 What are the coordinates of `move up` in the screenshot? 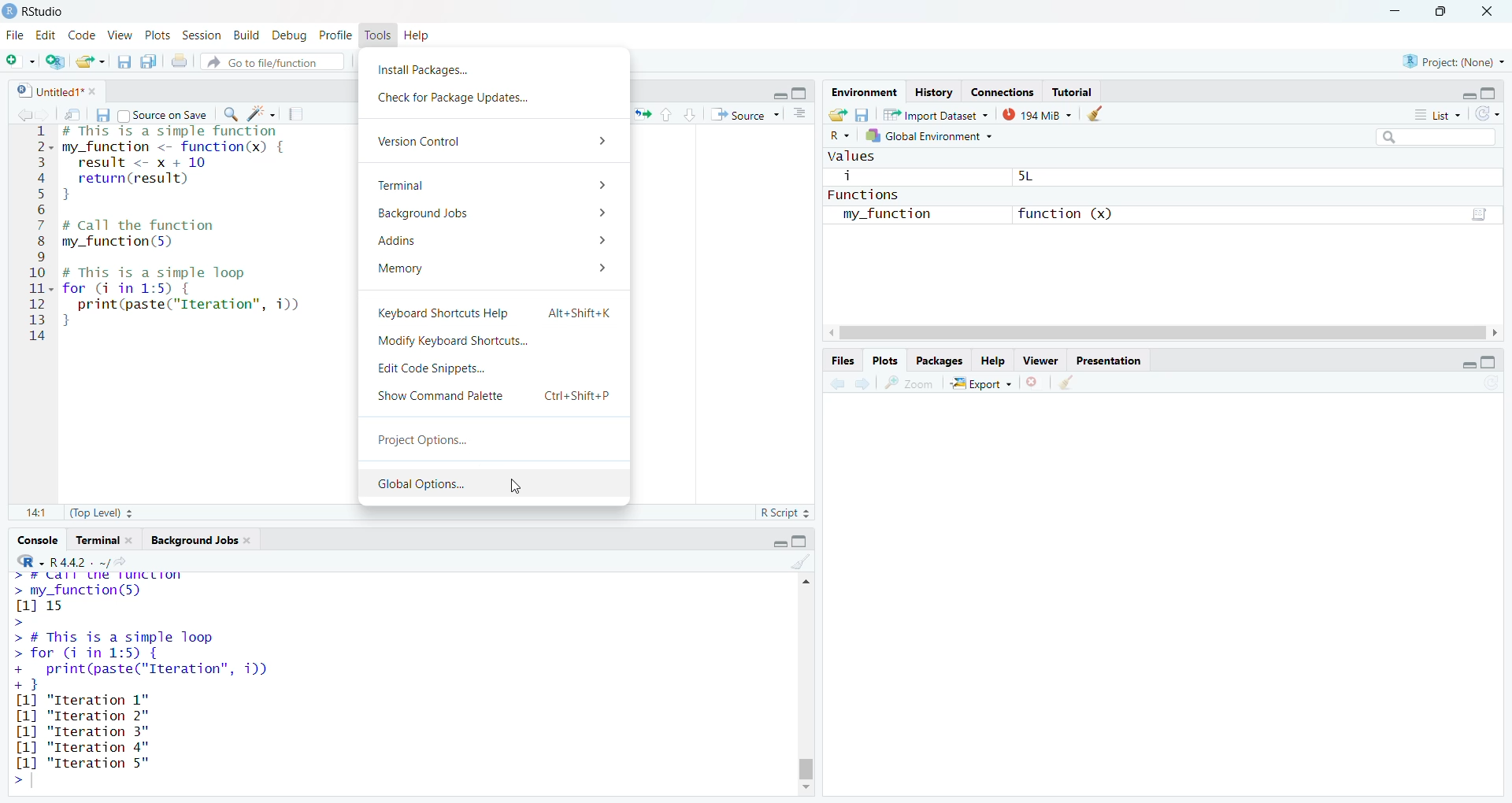 It's located at (803, 583).